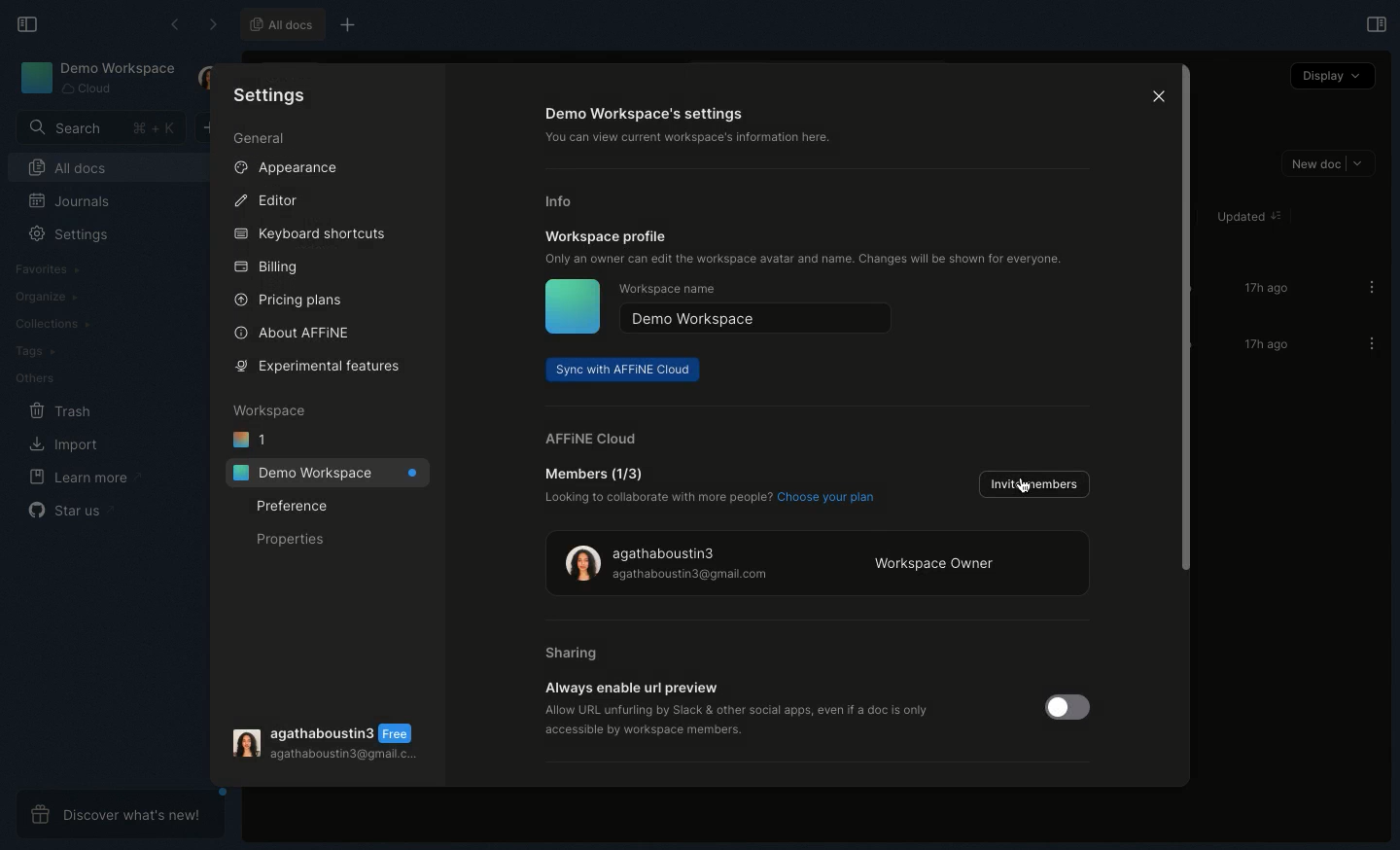 This screenshot has width=1400, height=850. Describe the element at coordinates (1022, 483) in the screenshot. I see `Cursor` at that location.